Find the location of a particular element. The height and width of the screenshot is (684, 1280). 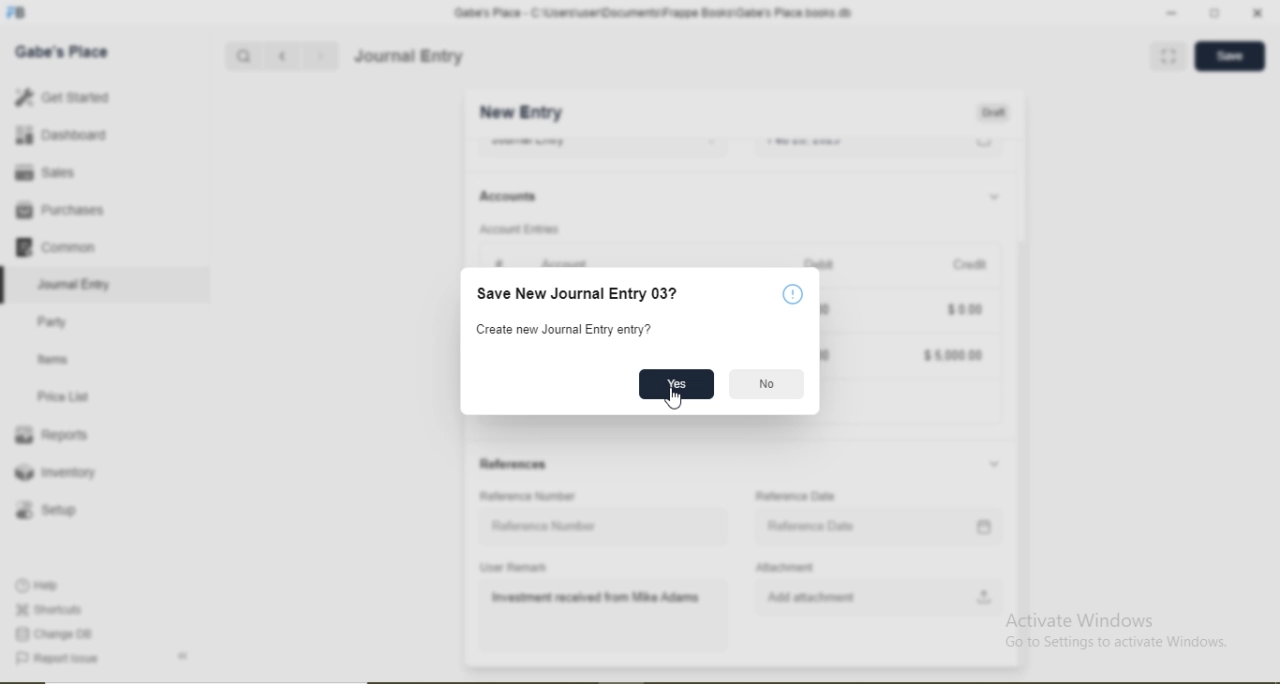

Upload file is located at coordinates (985, 596).